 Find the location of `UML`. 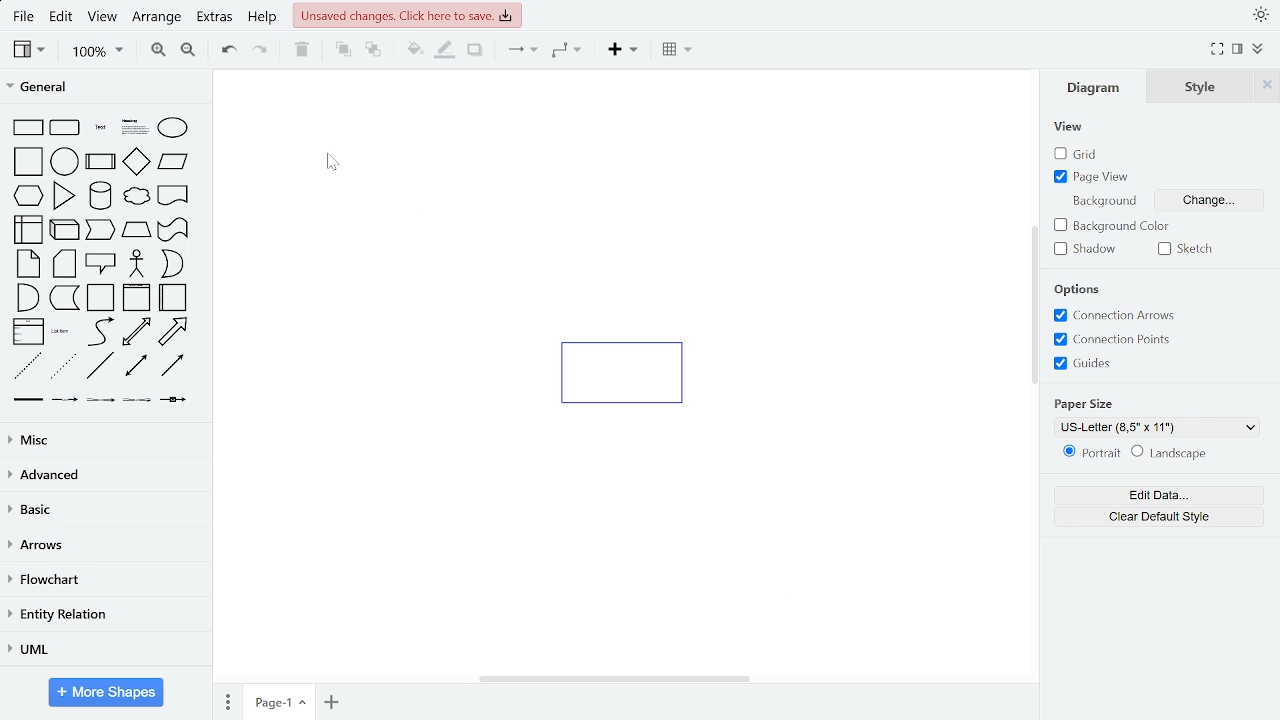

UML is located at coordinates (103, 651).